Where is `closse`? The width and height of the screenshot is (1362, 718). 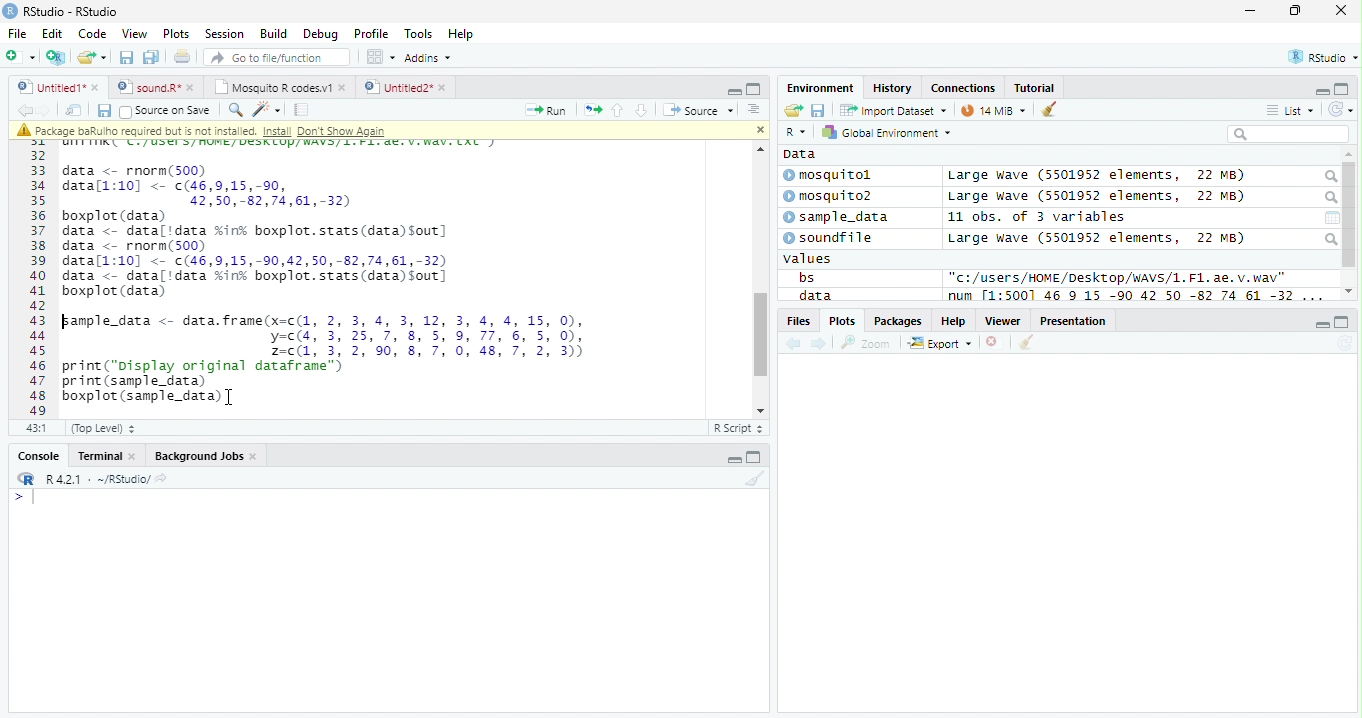 closse is located at coordinates (1342, 10).